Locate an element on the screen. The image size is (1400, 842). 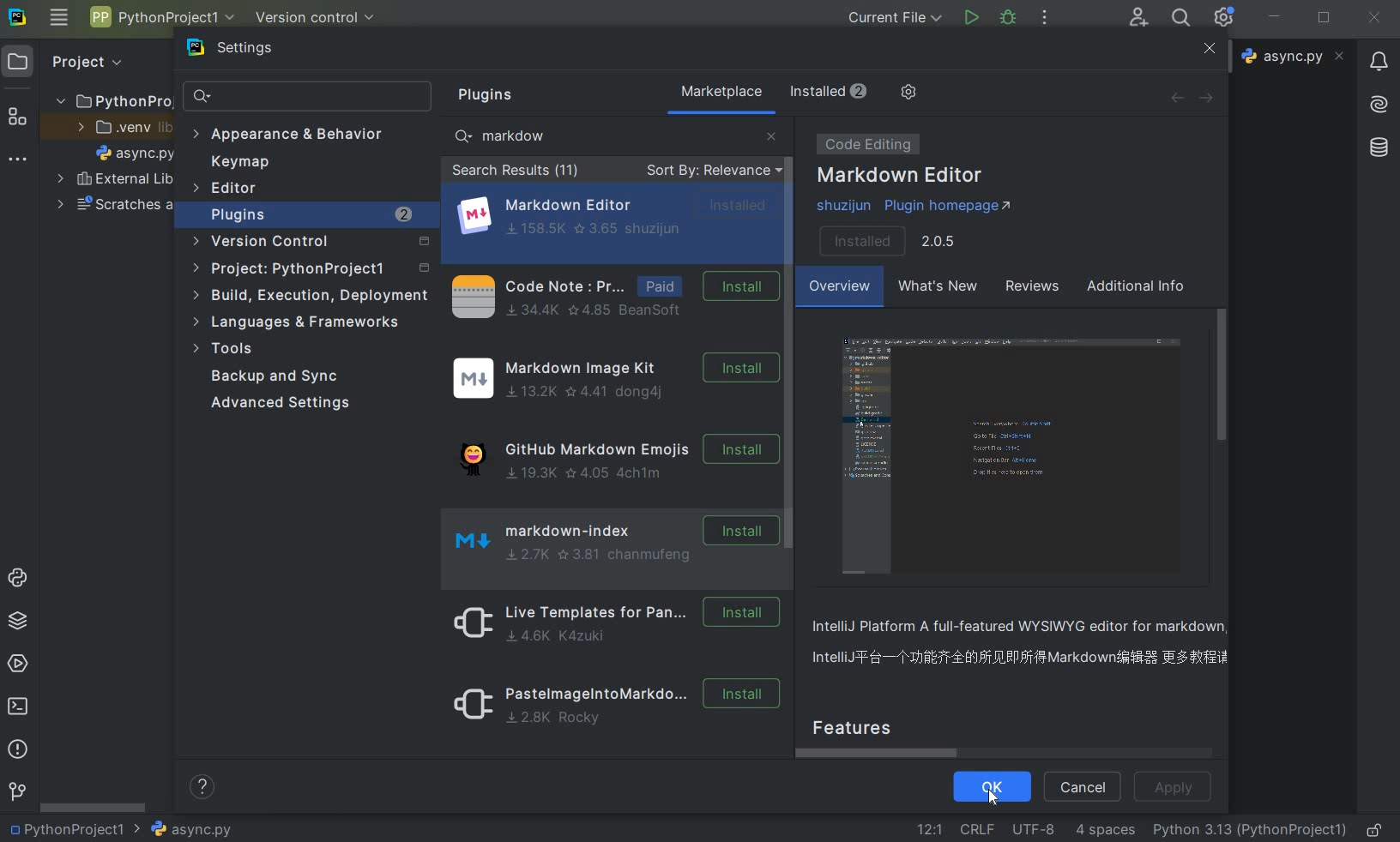
fine encoding is located at coordinates (1033, 827).